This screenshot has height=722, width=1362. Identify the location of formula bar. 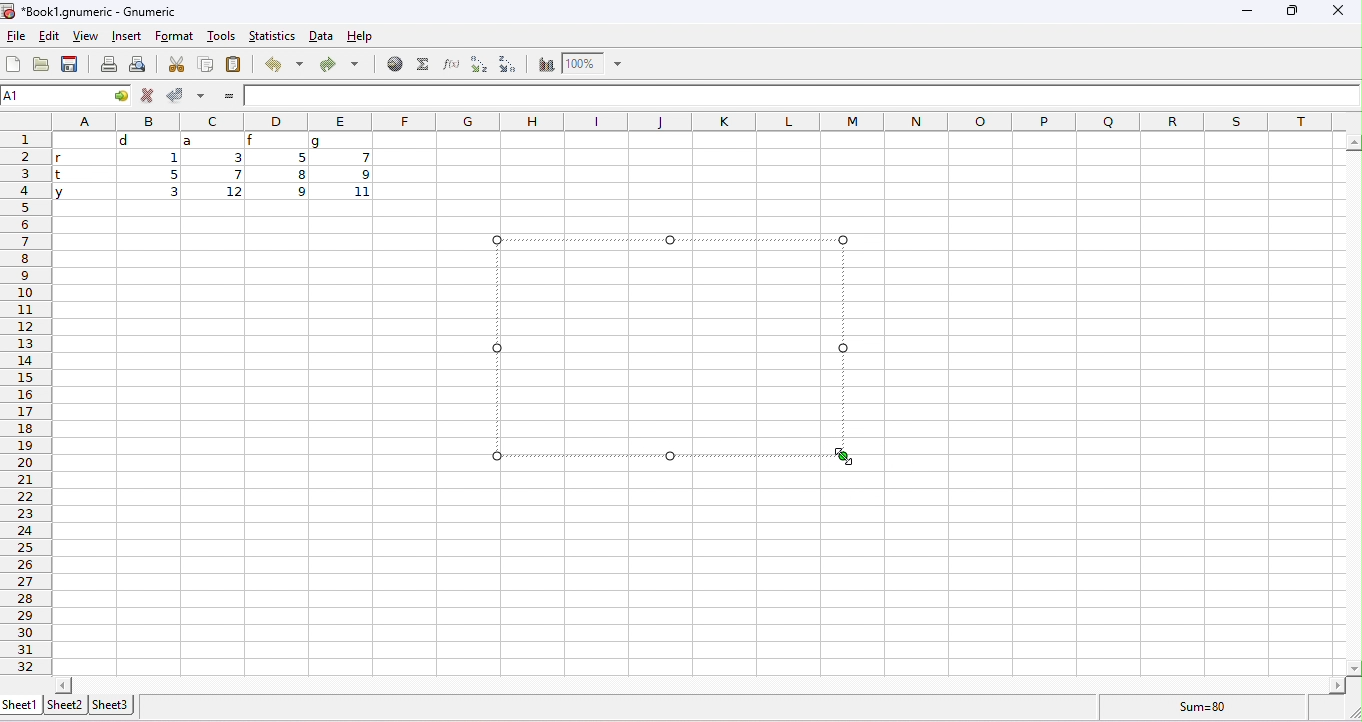
(803, 95).